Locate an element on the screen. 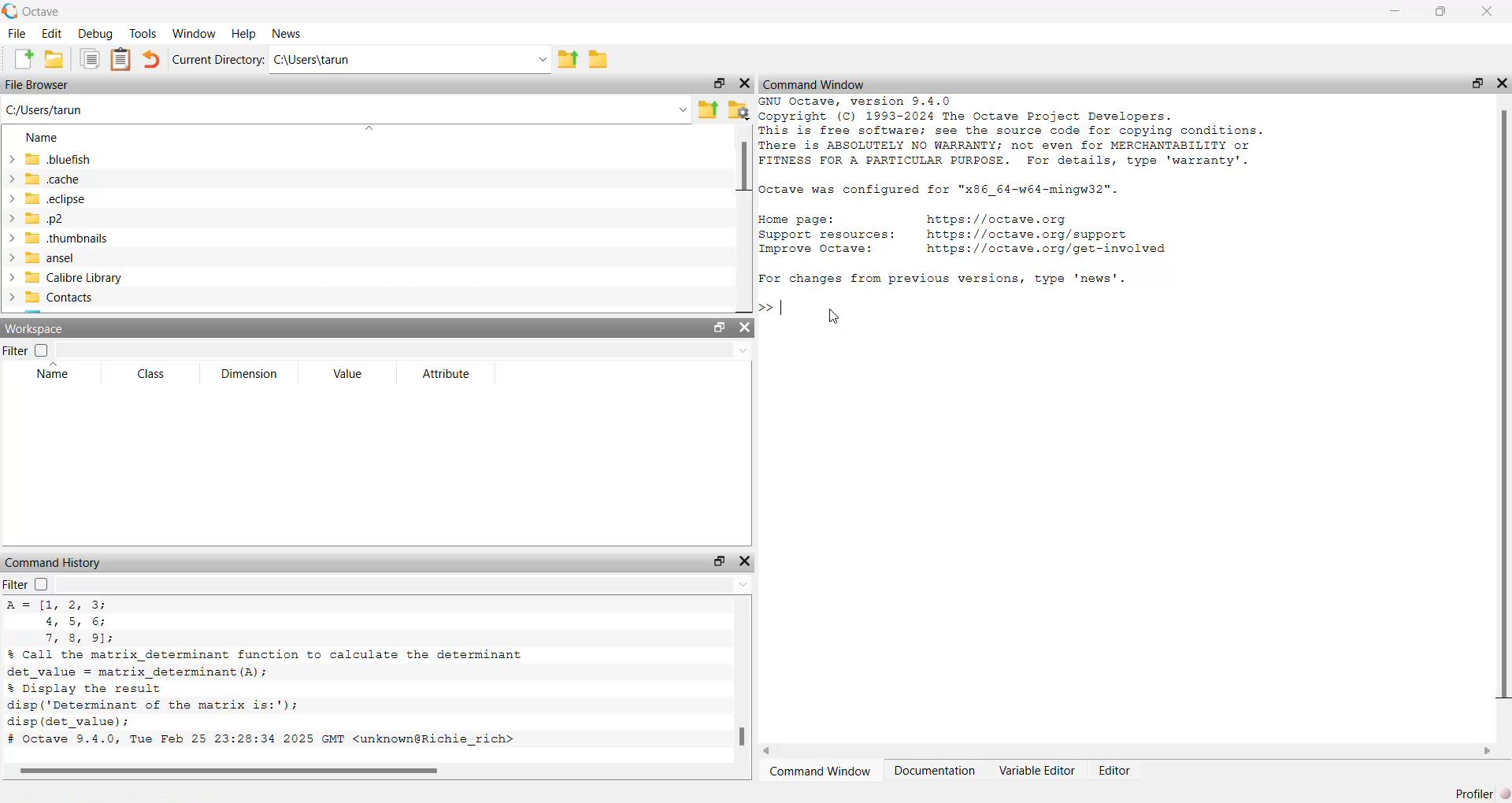 The width and height of the screenshot is (1512, 803). scrollbar  is located at coordinates (740, 686).